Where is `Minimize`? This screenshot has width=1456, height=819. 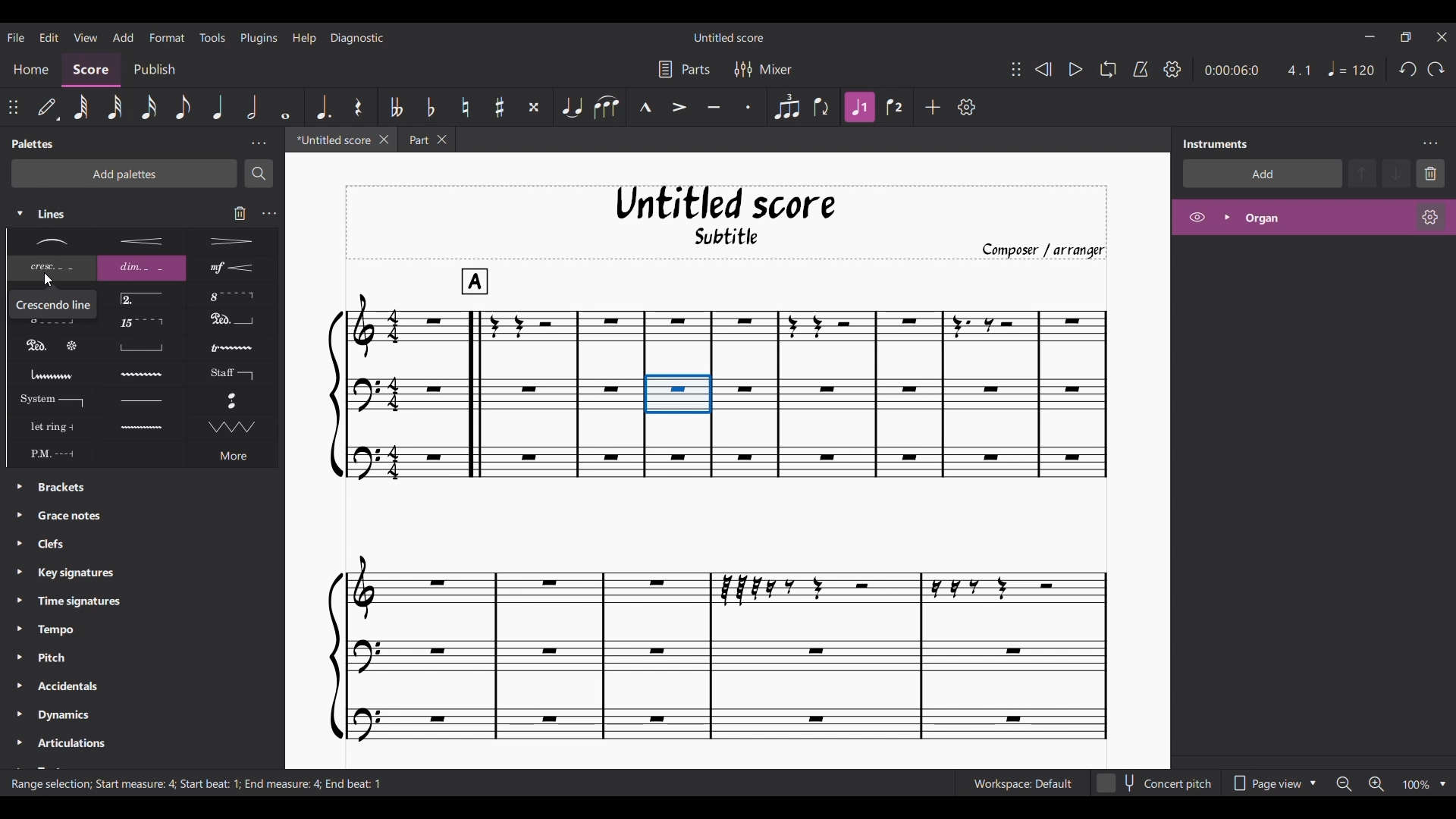
Minimize is located at coordinates (1370, 36).